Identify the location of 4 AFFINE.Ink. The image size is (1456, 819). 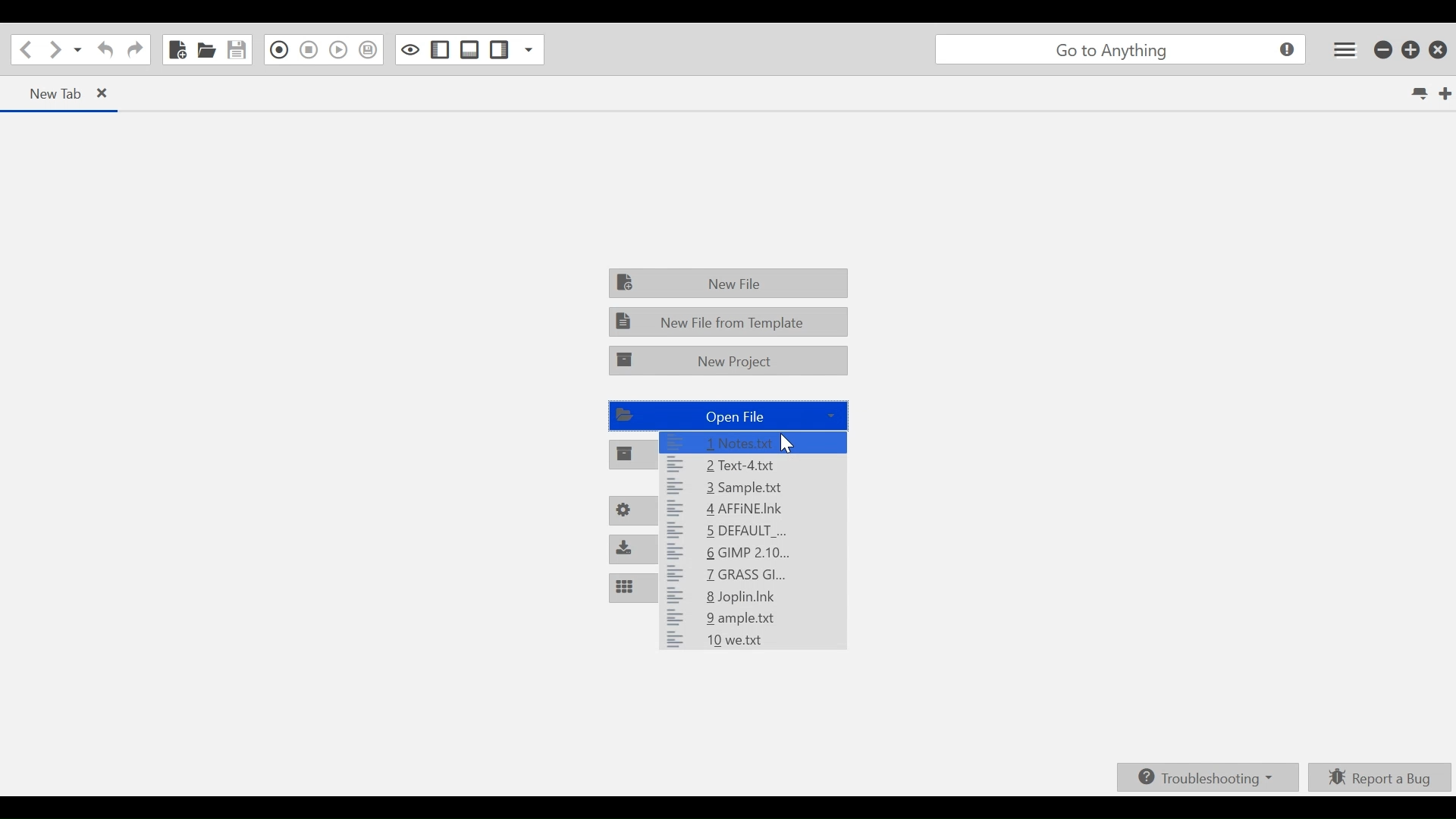
(742, 508).